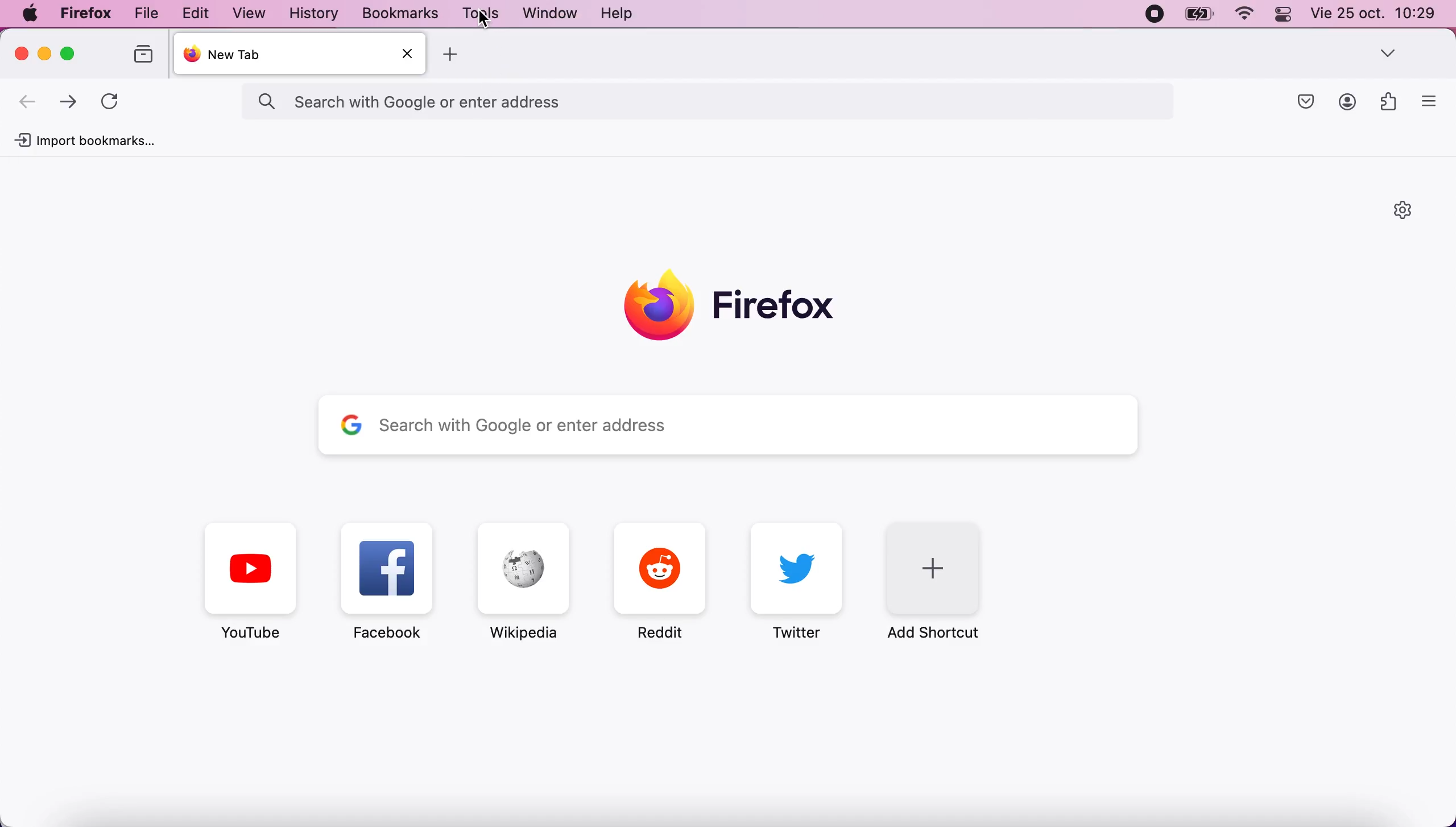  I want to click on Cursor, so click(484, 19).